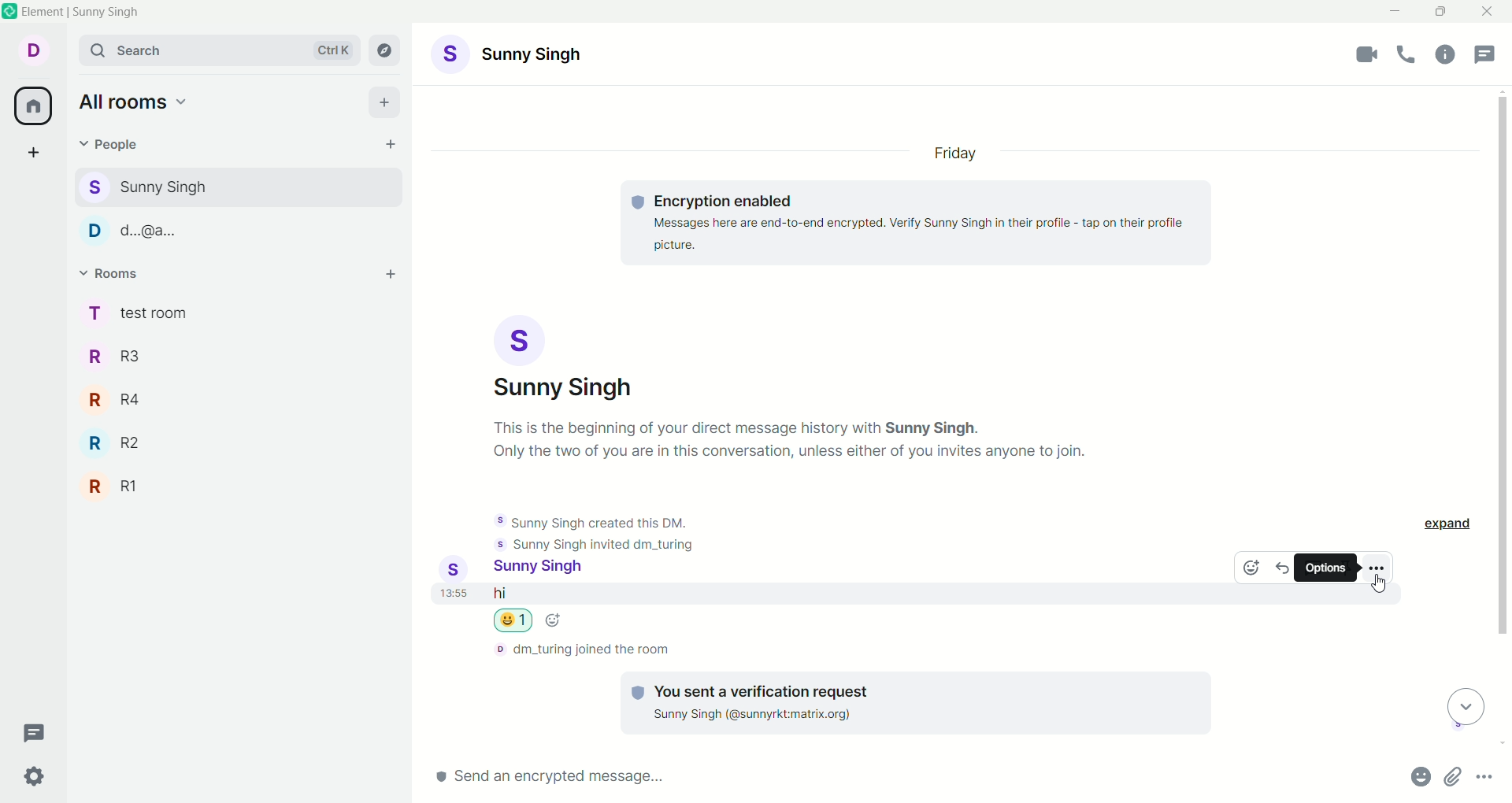  Describe the element at coordinates (146, 105) in the screenshot. I see `all rooms` at that location.